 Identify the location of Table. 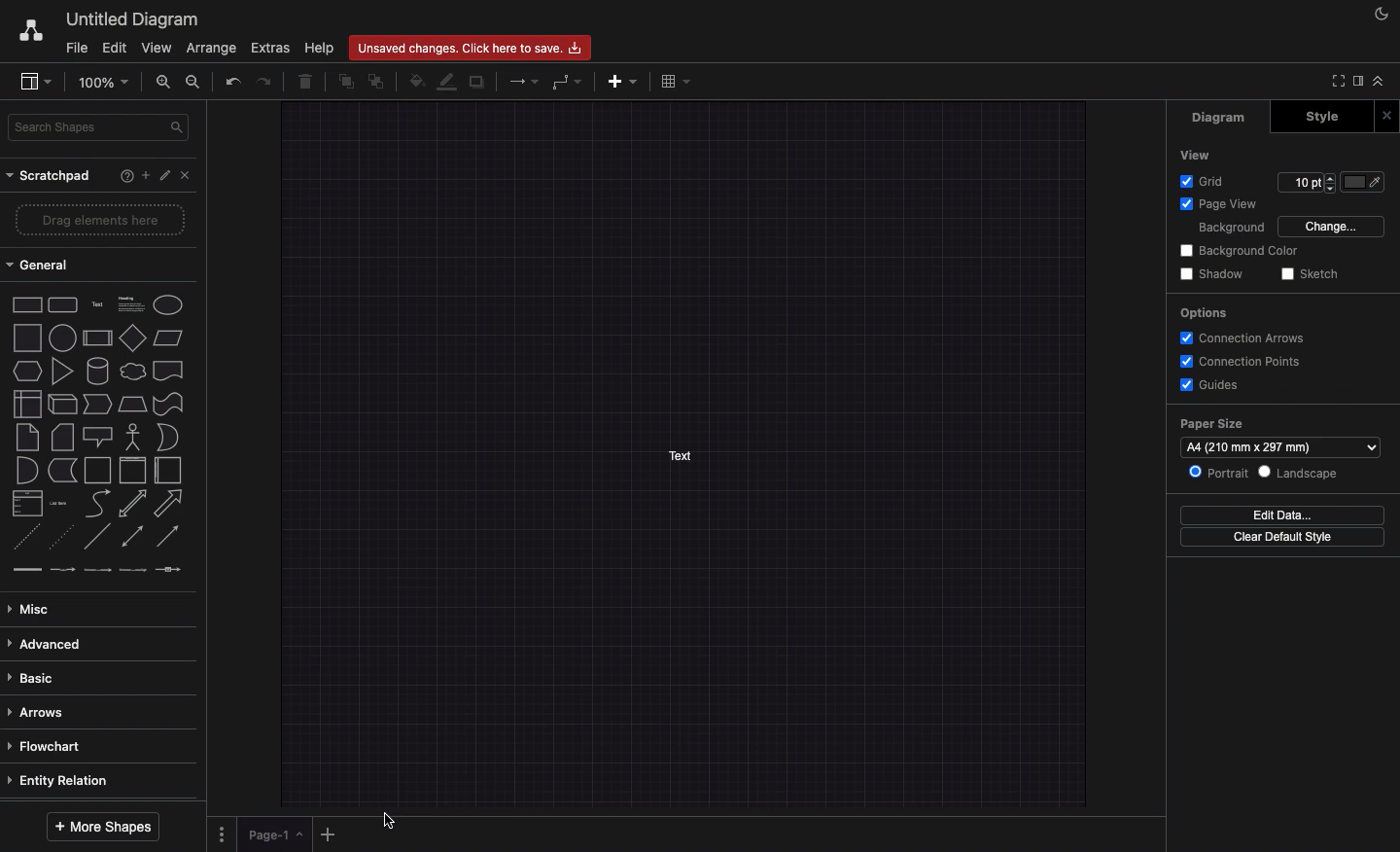
(680, 83).